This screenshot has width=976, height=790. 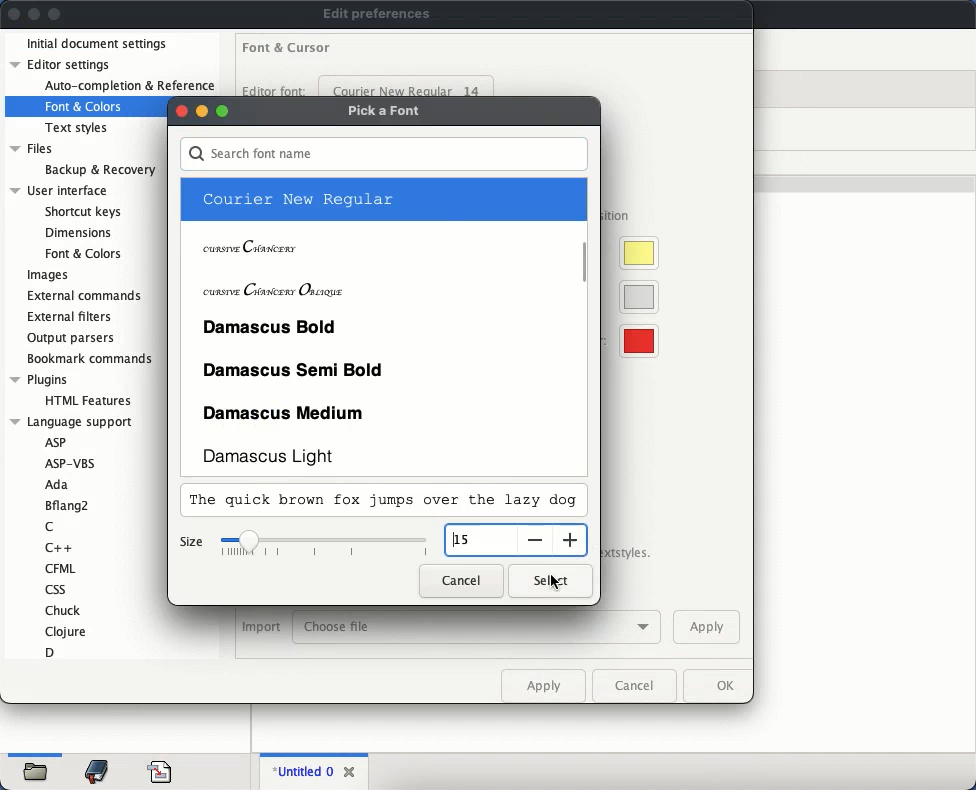 What do you see at coordinates (67, 631) in the screenshot?
I see `clojure` at bounding box center [67, 631].